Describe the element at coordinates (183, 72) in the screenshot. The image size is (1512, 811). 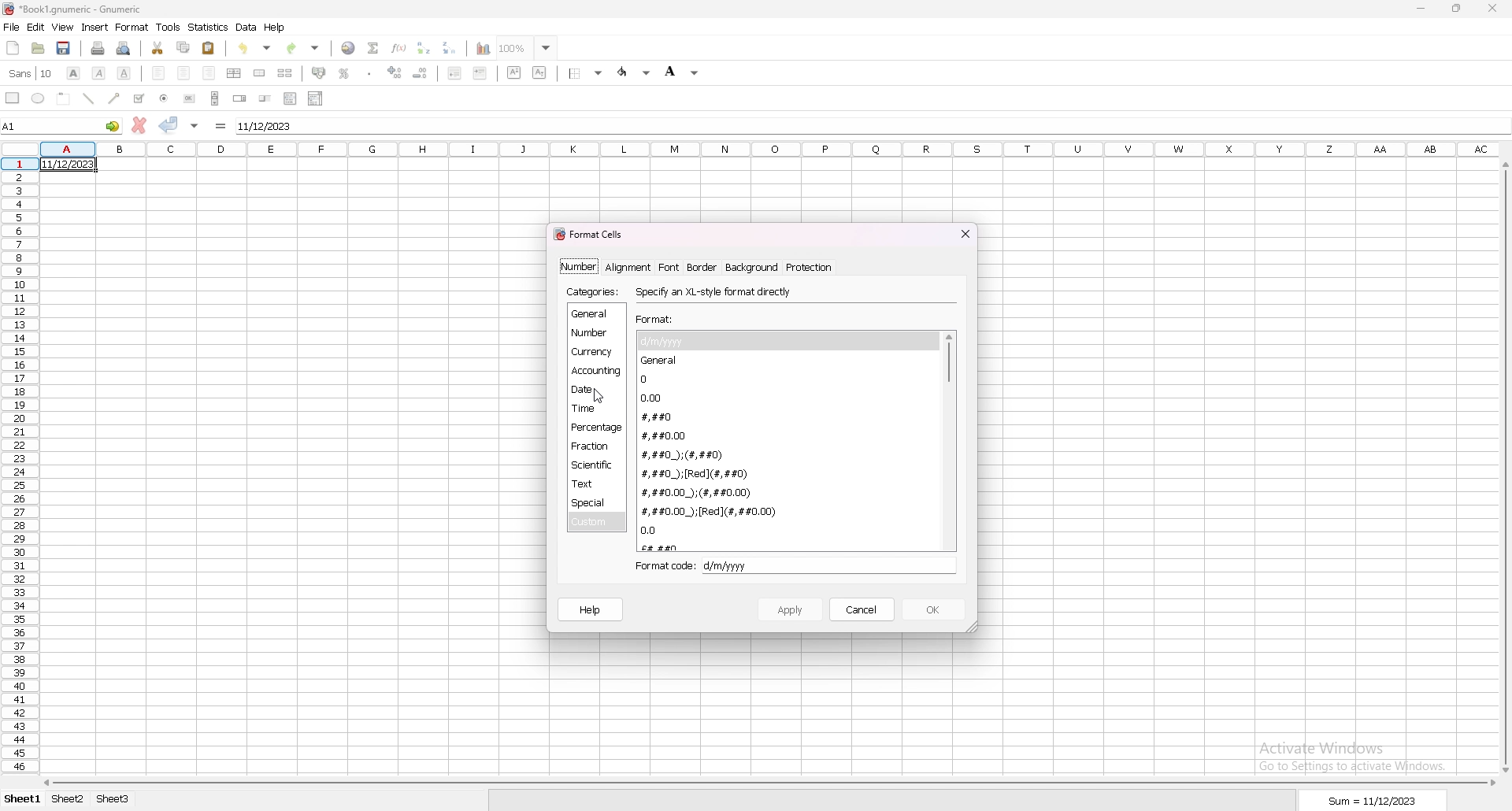
I see `centre` at that location.